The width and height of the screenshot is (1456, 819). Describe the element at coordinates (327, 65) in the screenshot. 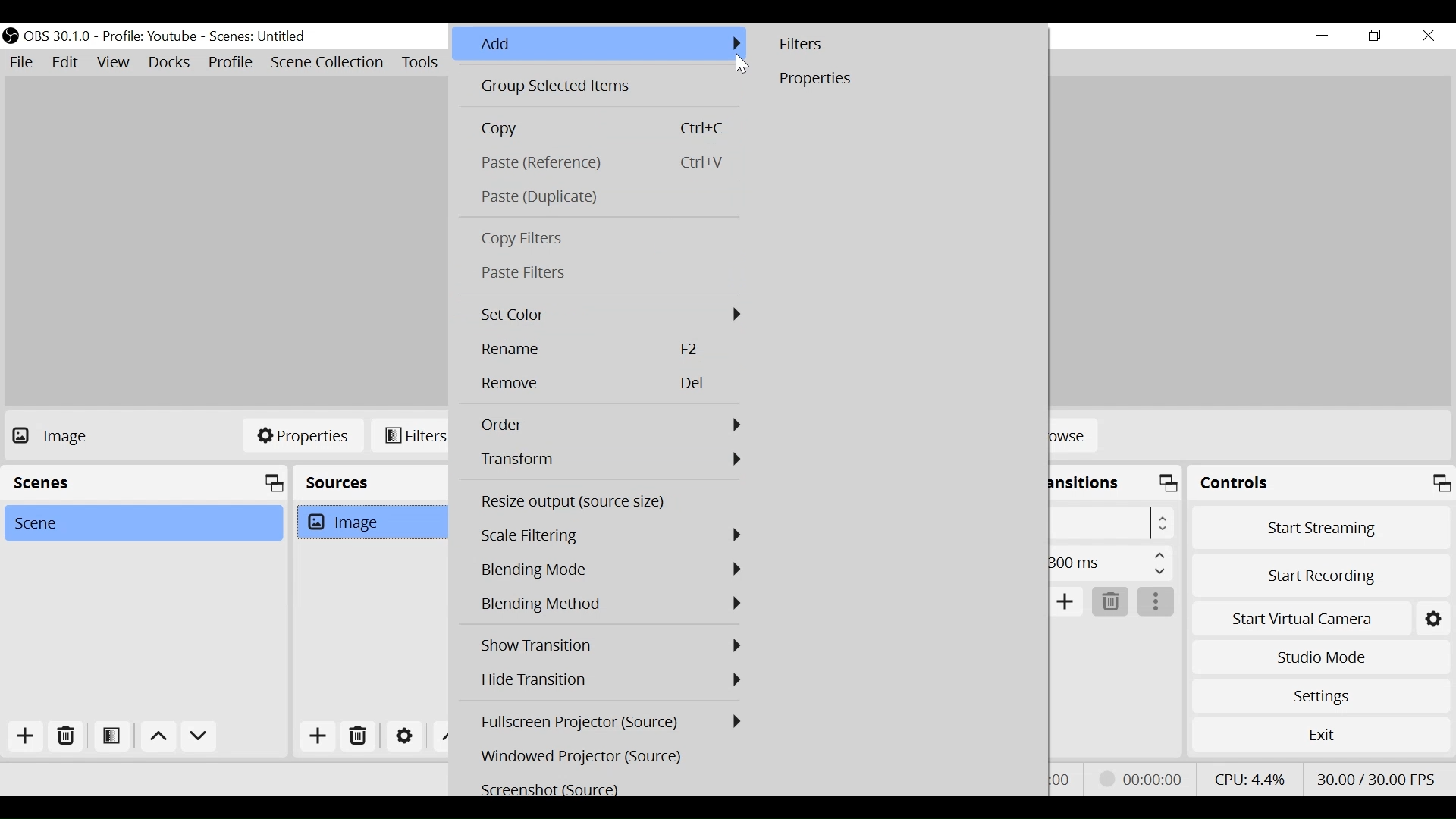

I see `Scene Collection` at that location.